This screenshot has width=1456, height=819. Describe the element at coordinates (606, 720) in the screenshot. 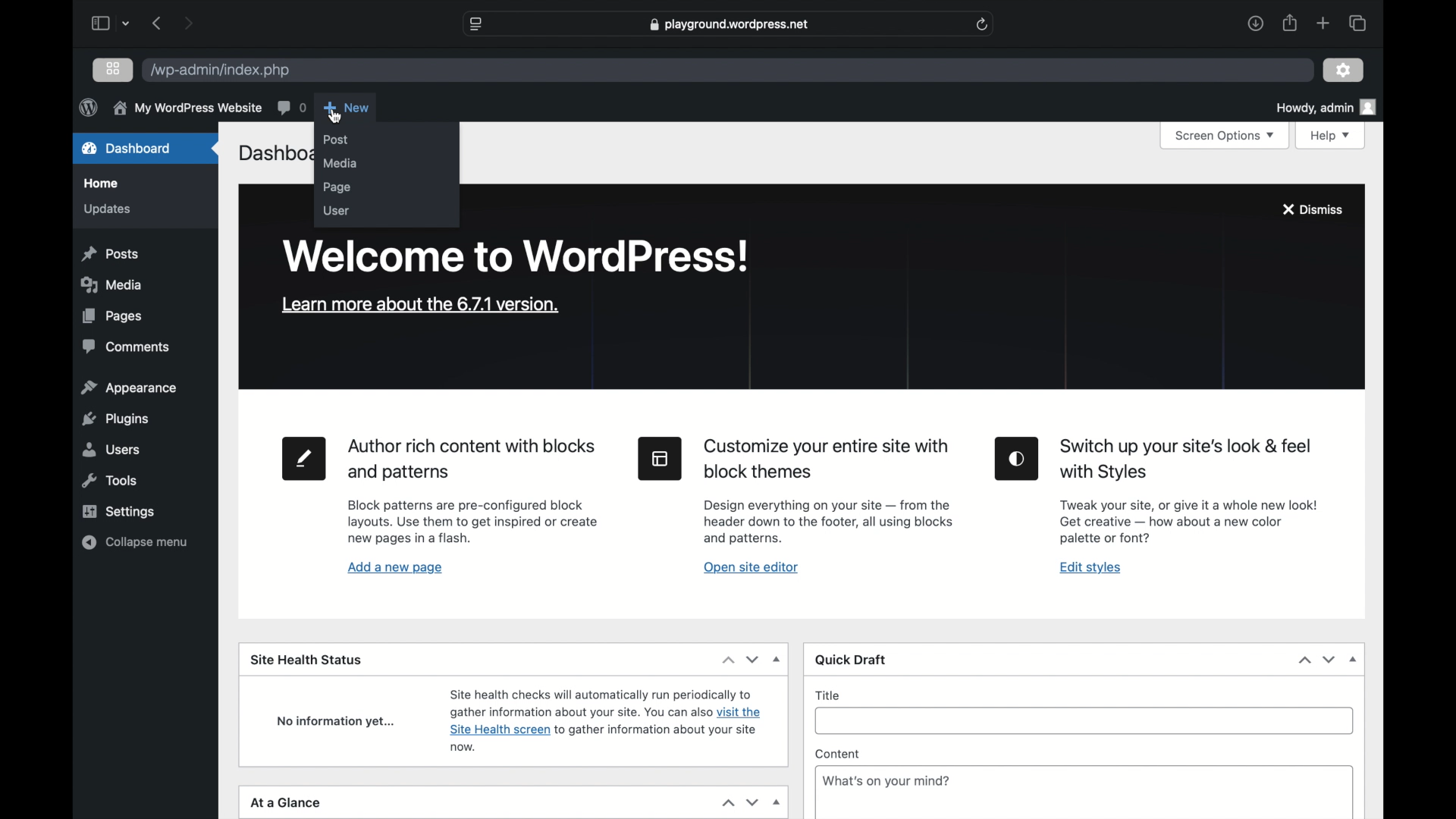

I see `site health status information` at that location.